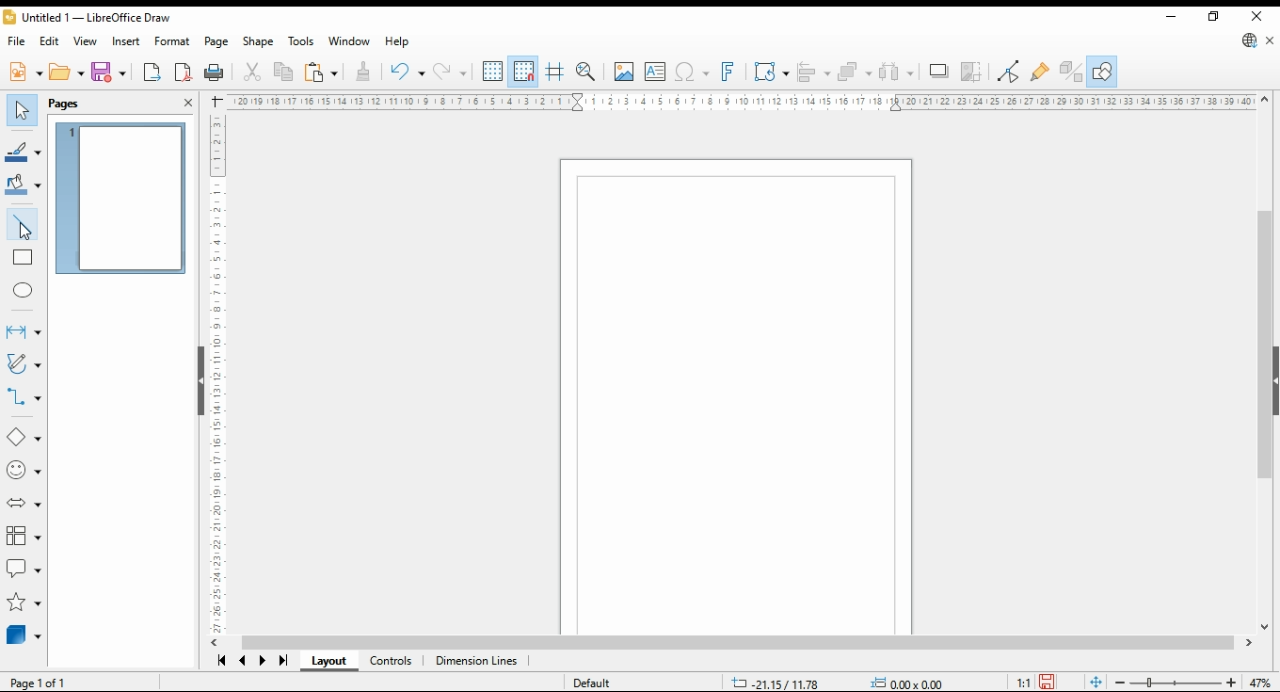 This screenshot has width=1280, height=692. What do you see at coordinates (586, 72) in the screenshot?
I see `pan and zoom` at bounding box center [586, 72].